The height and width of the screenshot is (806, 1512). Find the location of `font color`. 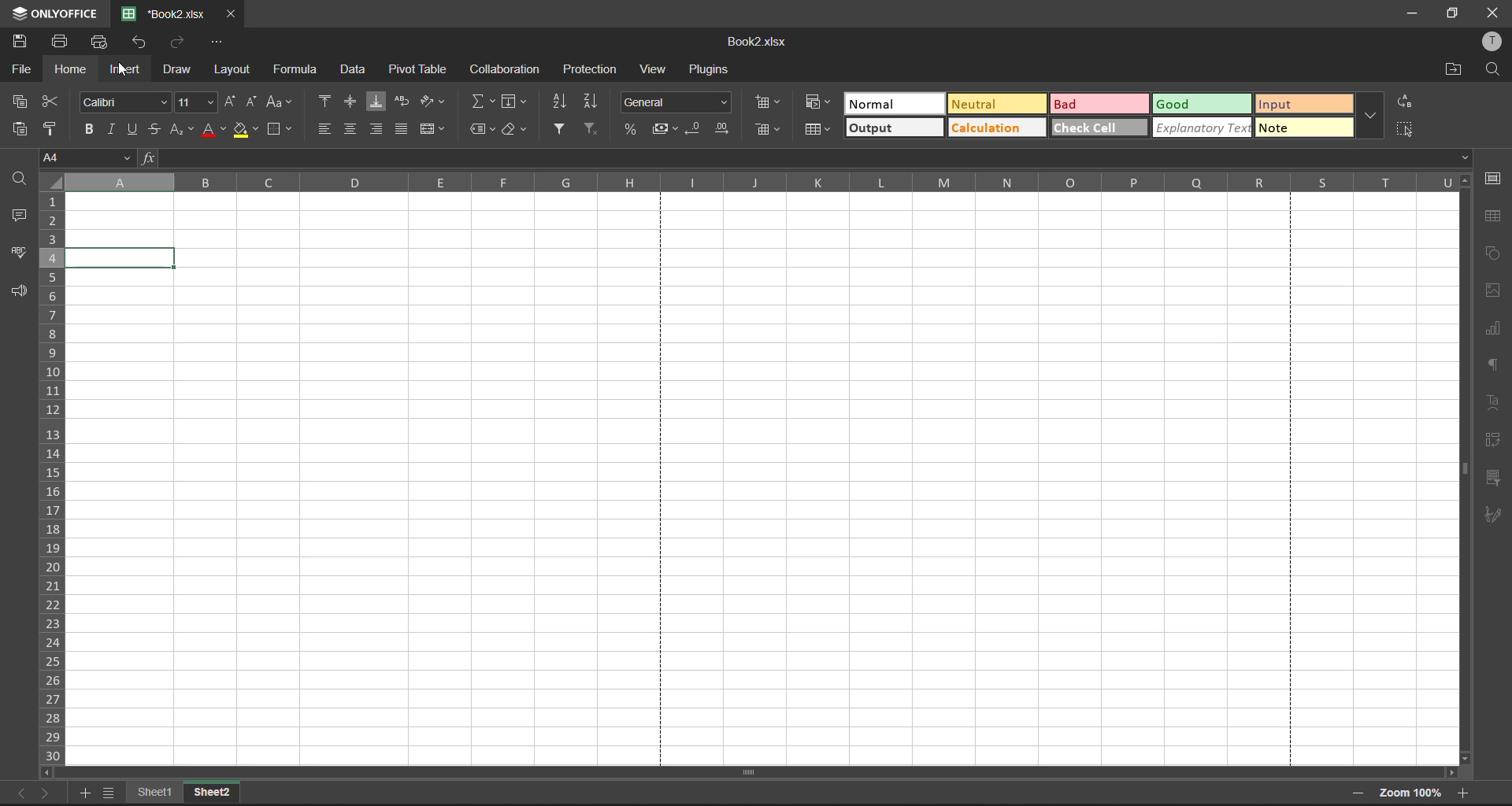

font color is located at coordinates (213, 130).